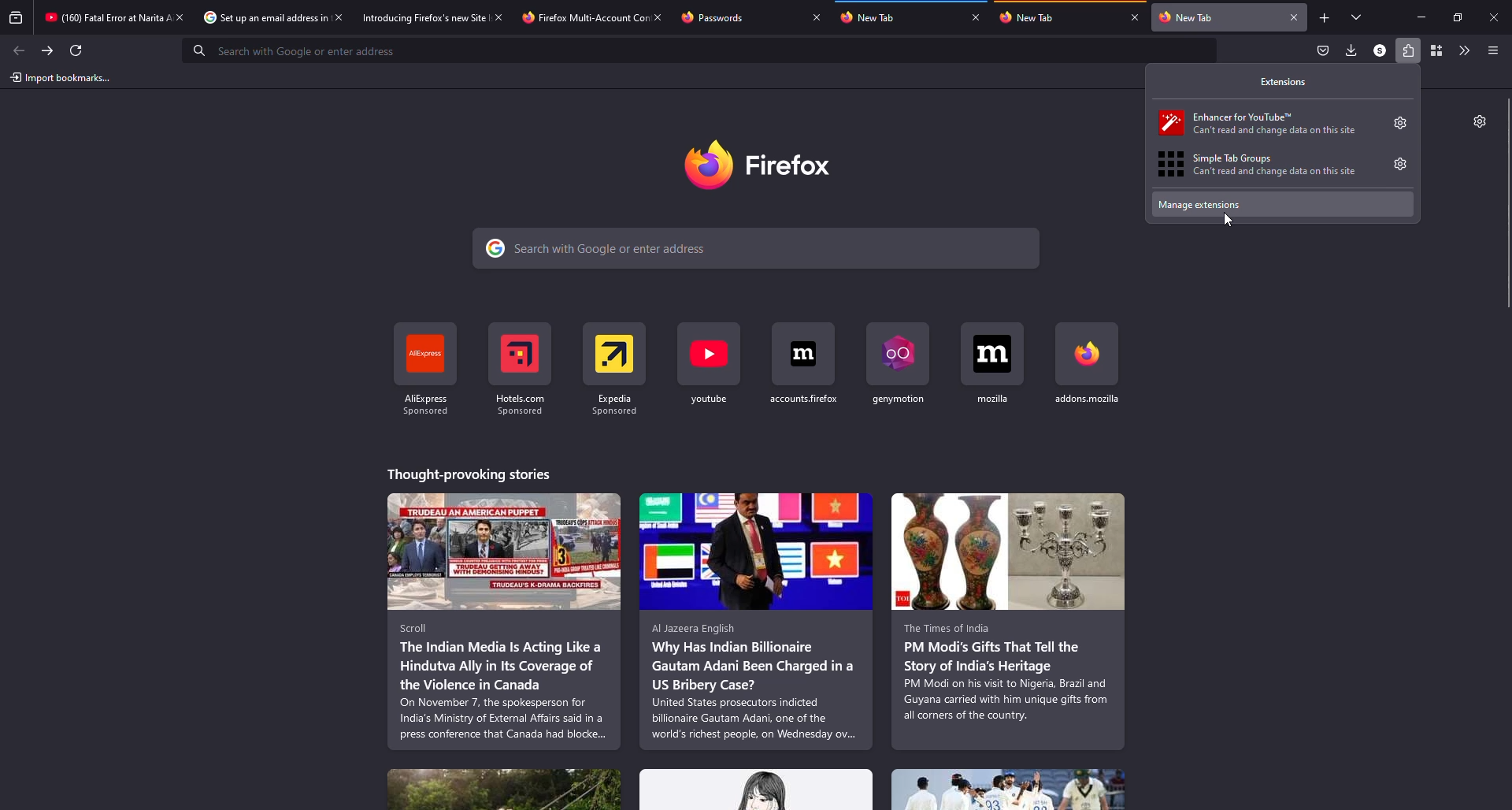 The image size is (1512, 810). What do you see at coordinates (410, 17) in the screenshot?
I see `tab` at bounding box center [410, 17].